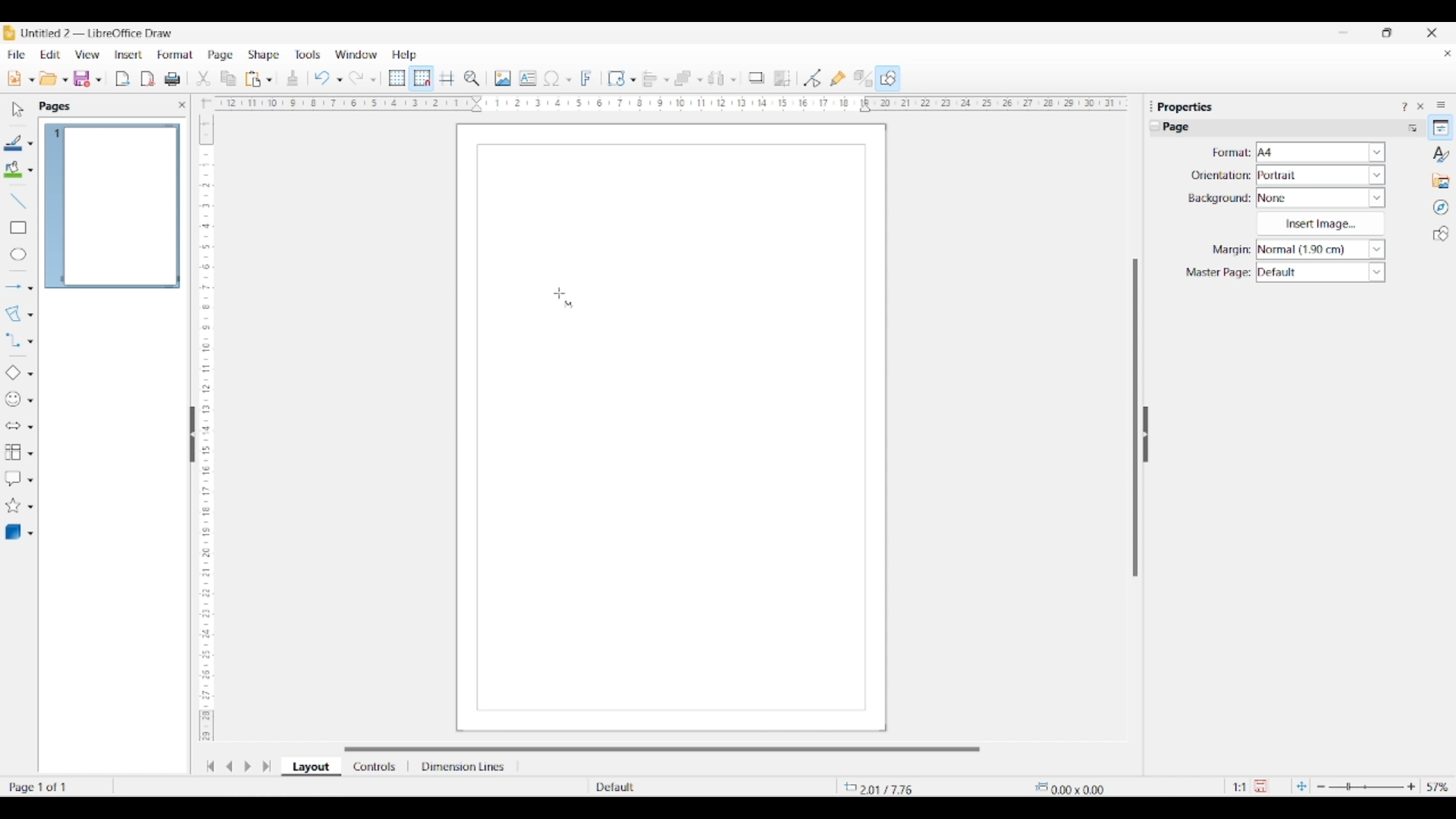 Image resolution: width=1456 pixels, height=819 pixels. I want to click on Properties, so click(1441, 127).